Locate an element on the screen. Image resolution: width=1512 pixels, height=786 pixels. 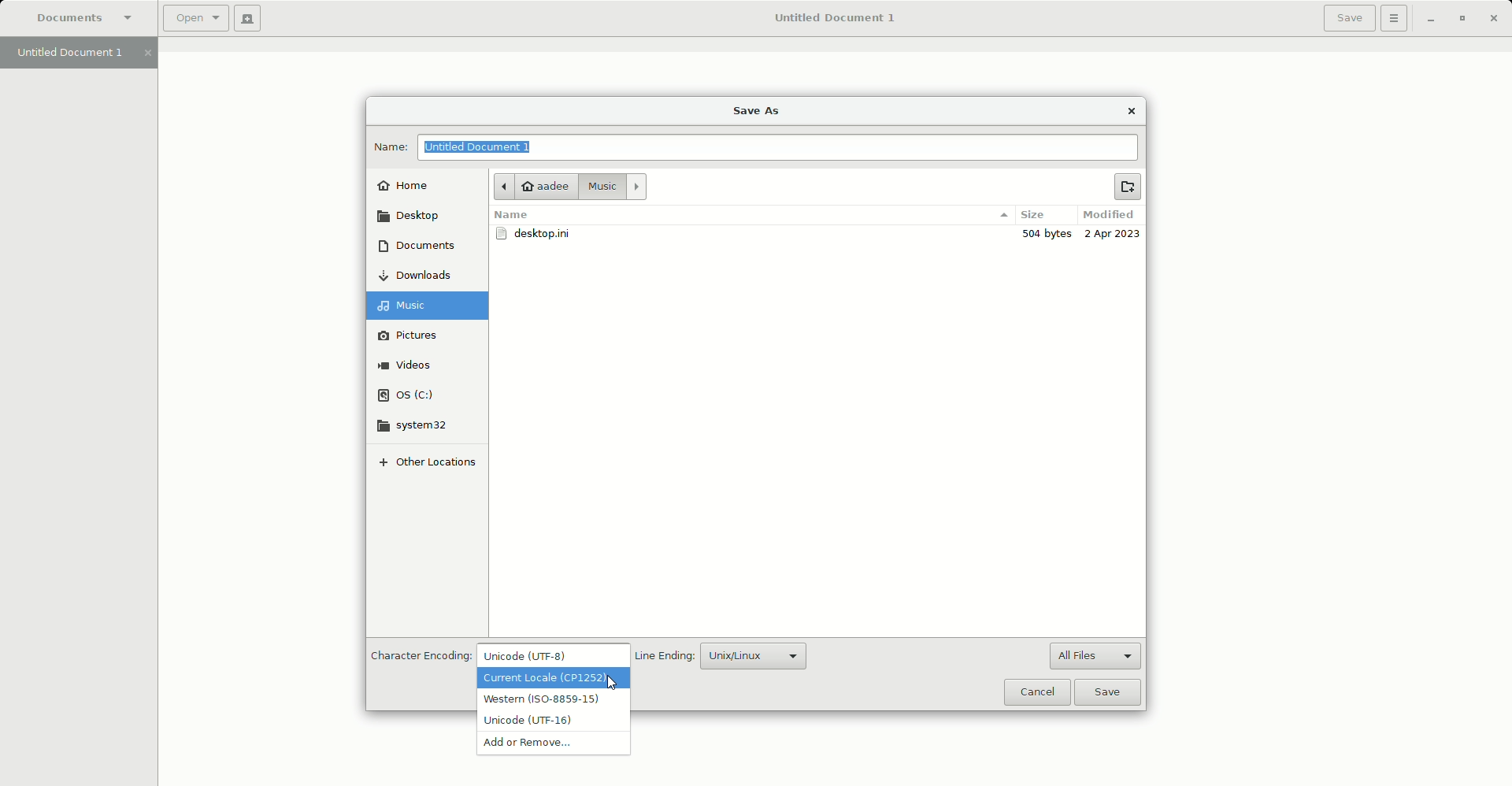
Documents is located at coordinates (420, 245).